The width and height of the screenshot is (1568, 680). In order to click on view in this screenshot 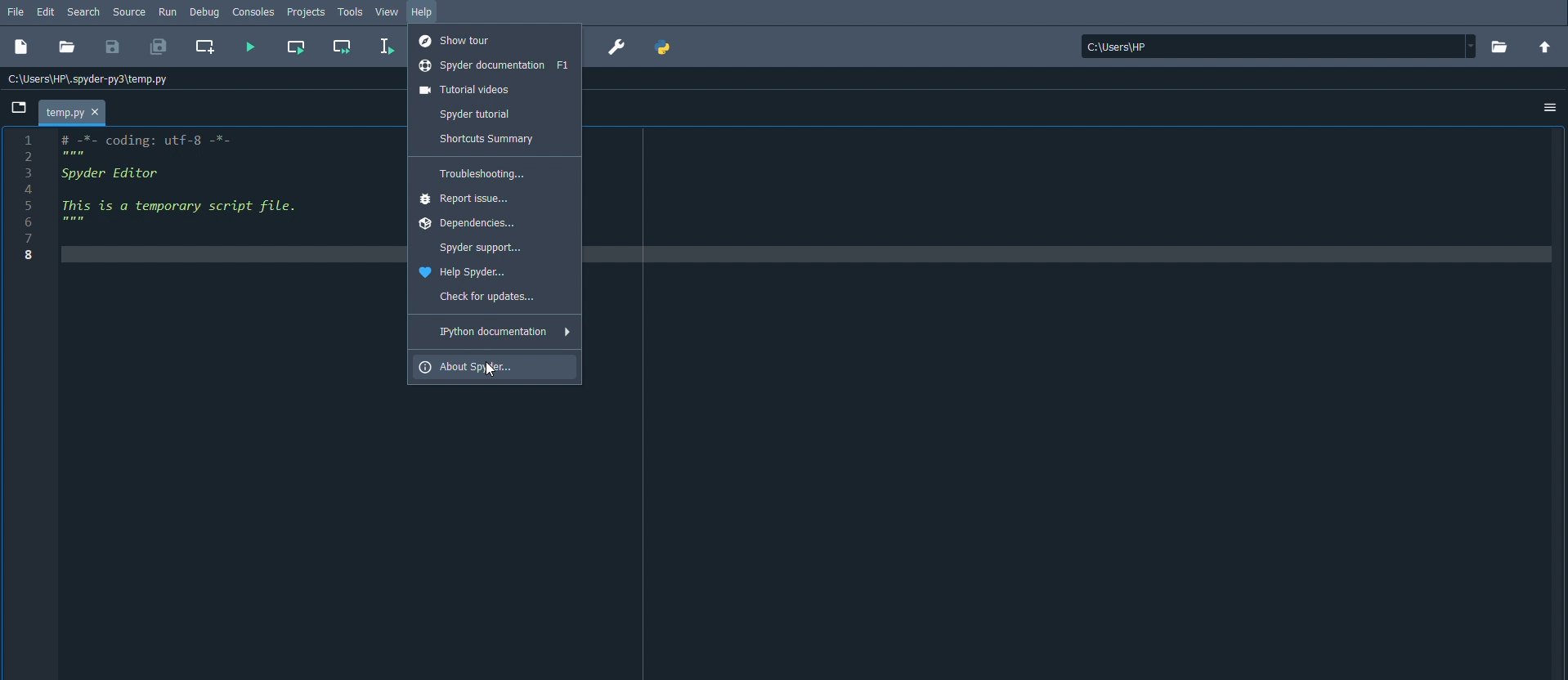, I will do `click(388, 11)`.